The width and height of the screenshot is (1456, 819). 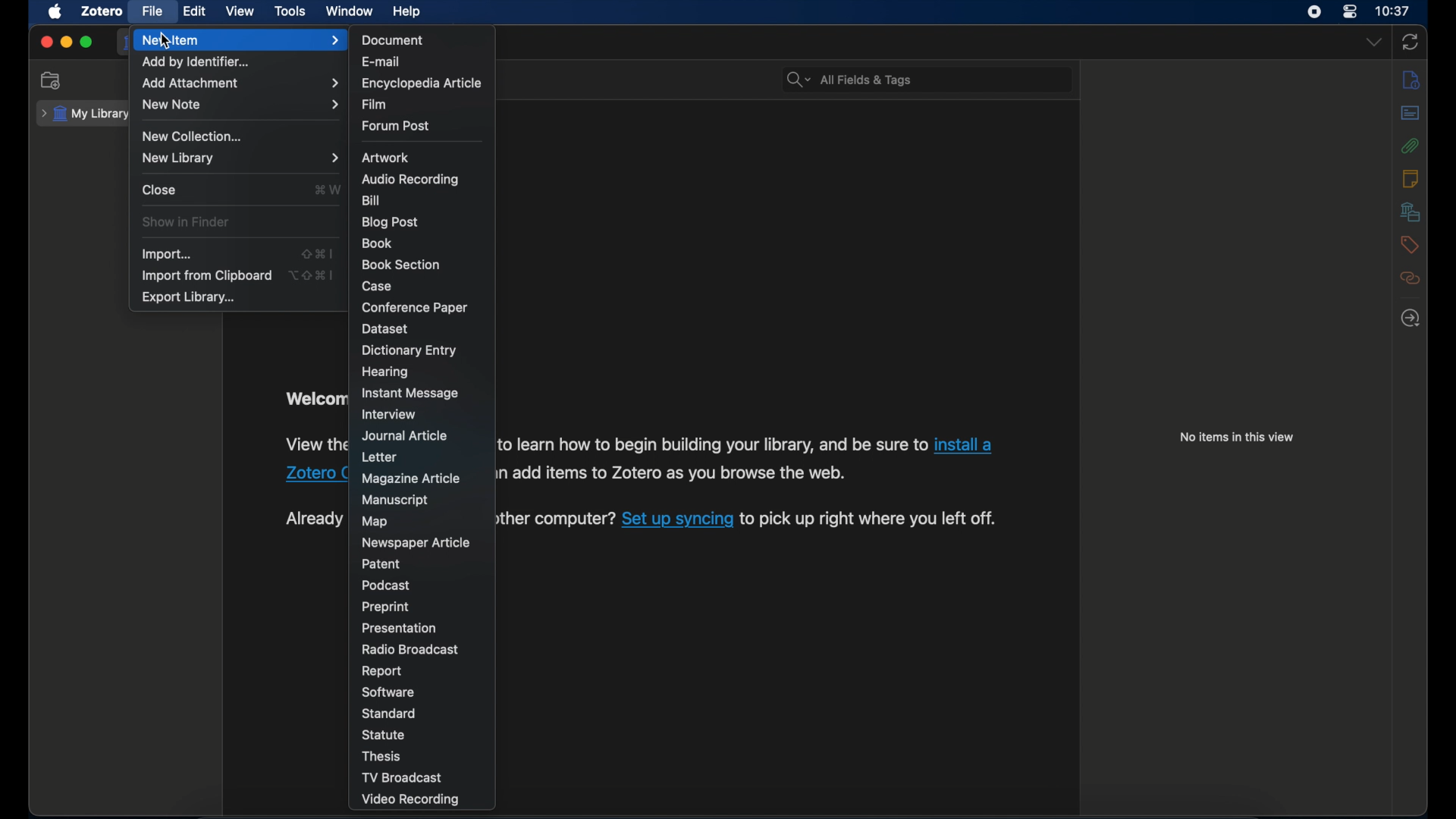 I want to click on forum post, so click(x=397, y=125).